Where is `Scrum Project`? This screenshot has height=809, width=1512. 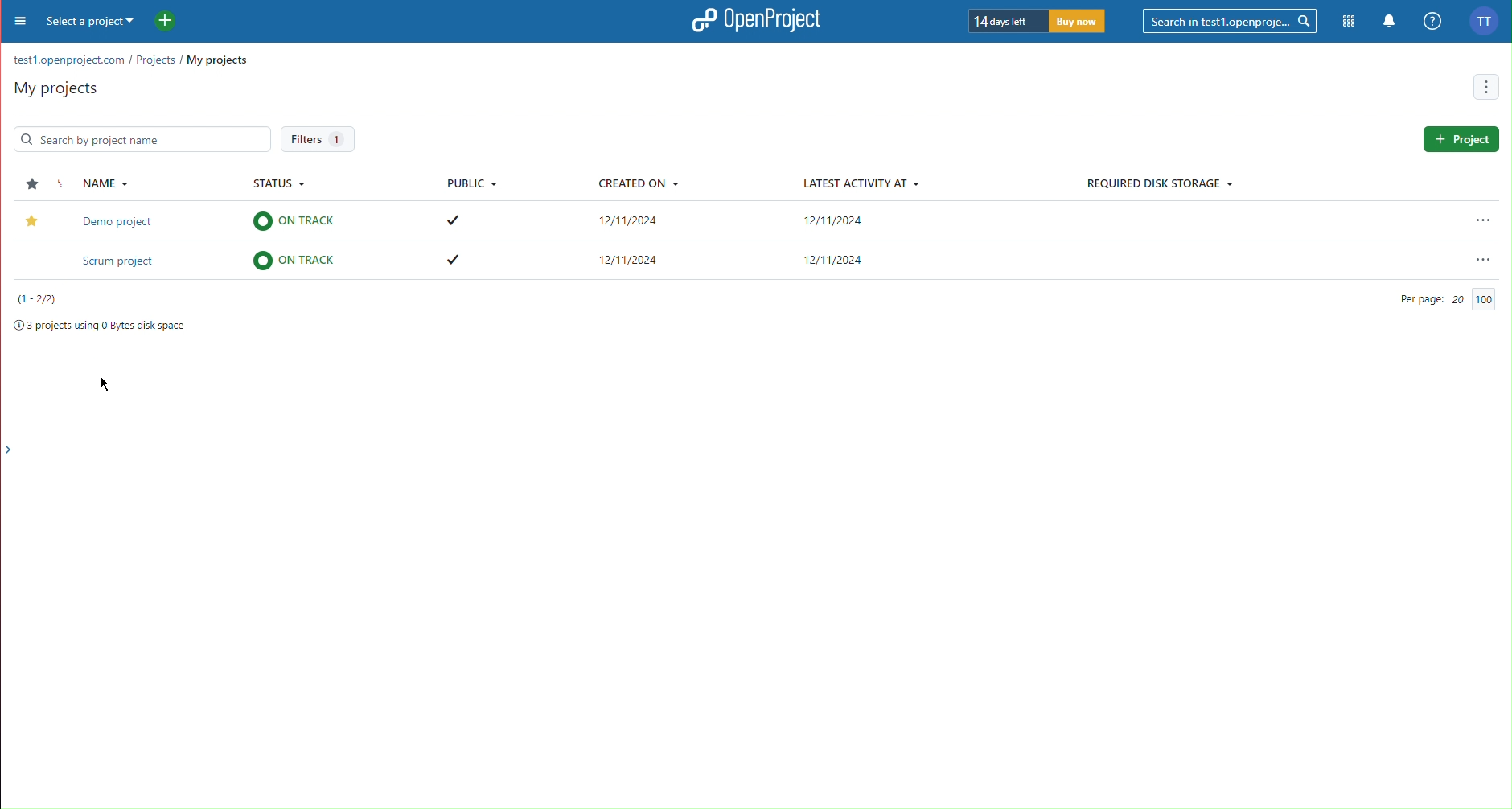
Scrum Project is located at coordinates (788, 223).